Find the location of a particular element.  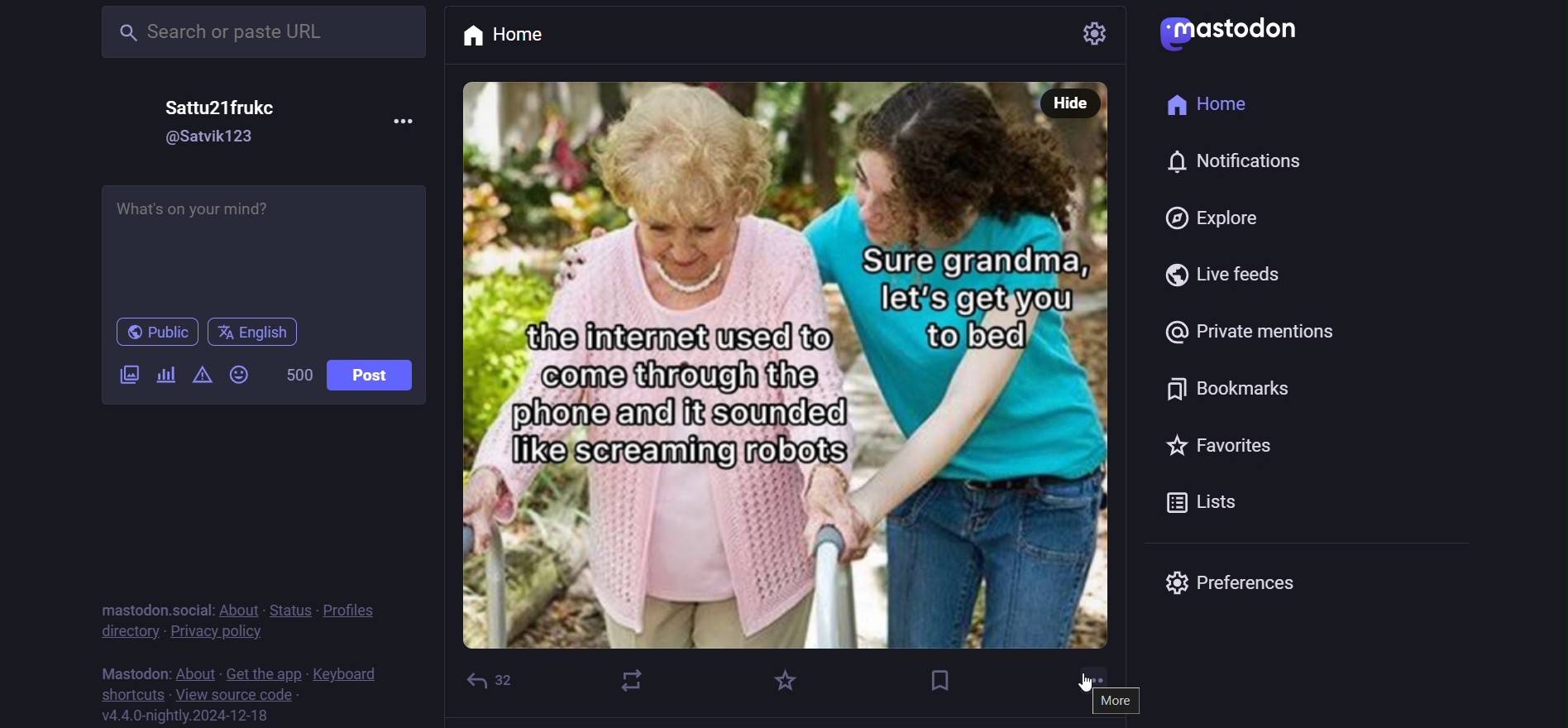

mastodon is located at coordinates (131, 671).